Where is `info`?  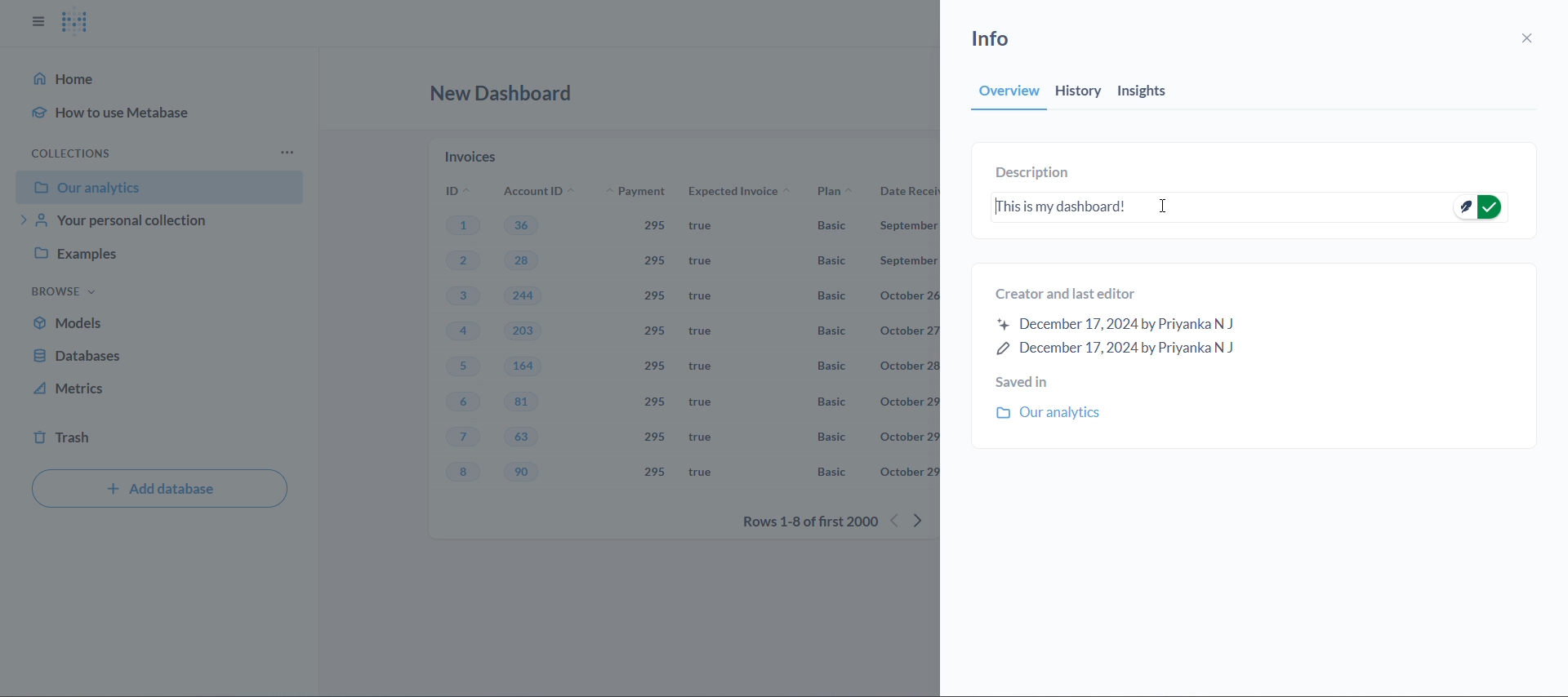 info is located at coordinates (1005, 37).